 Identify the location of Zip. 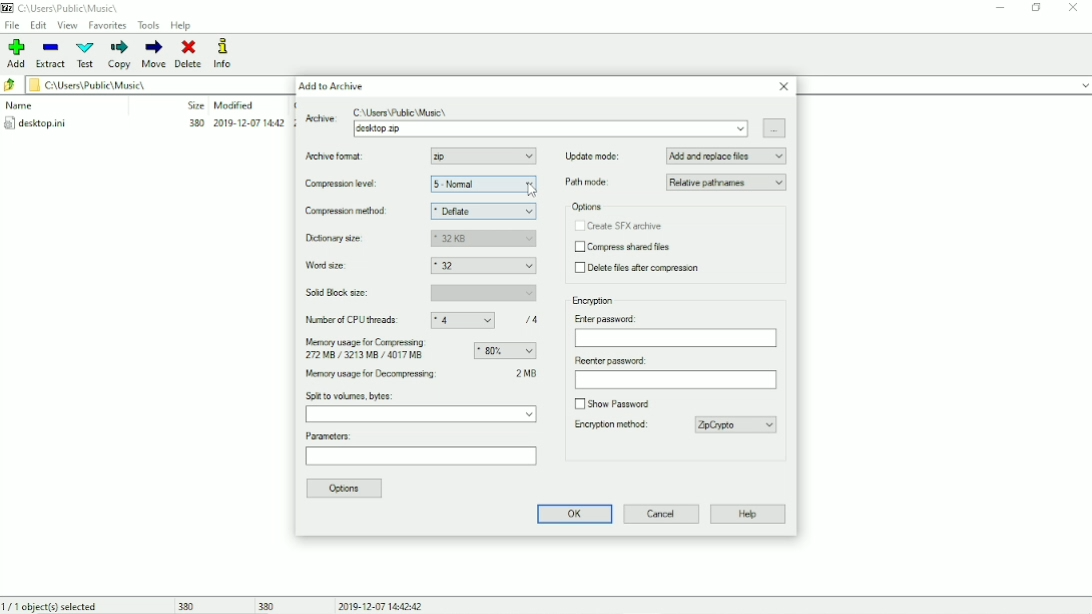
(483, 156).